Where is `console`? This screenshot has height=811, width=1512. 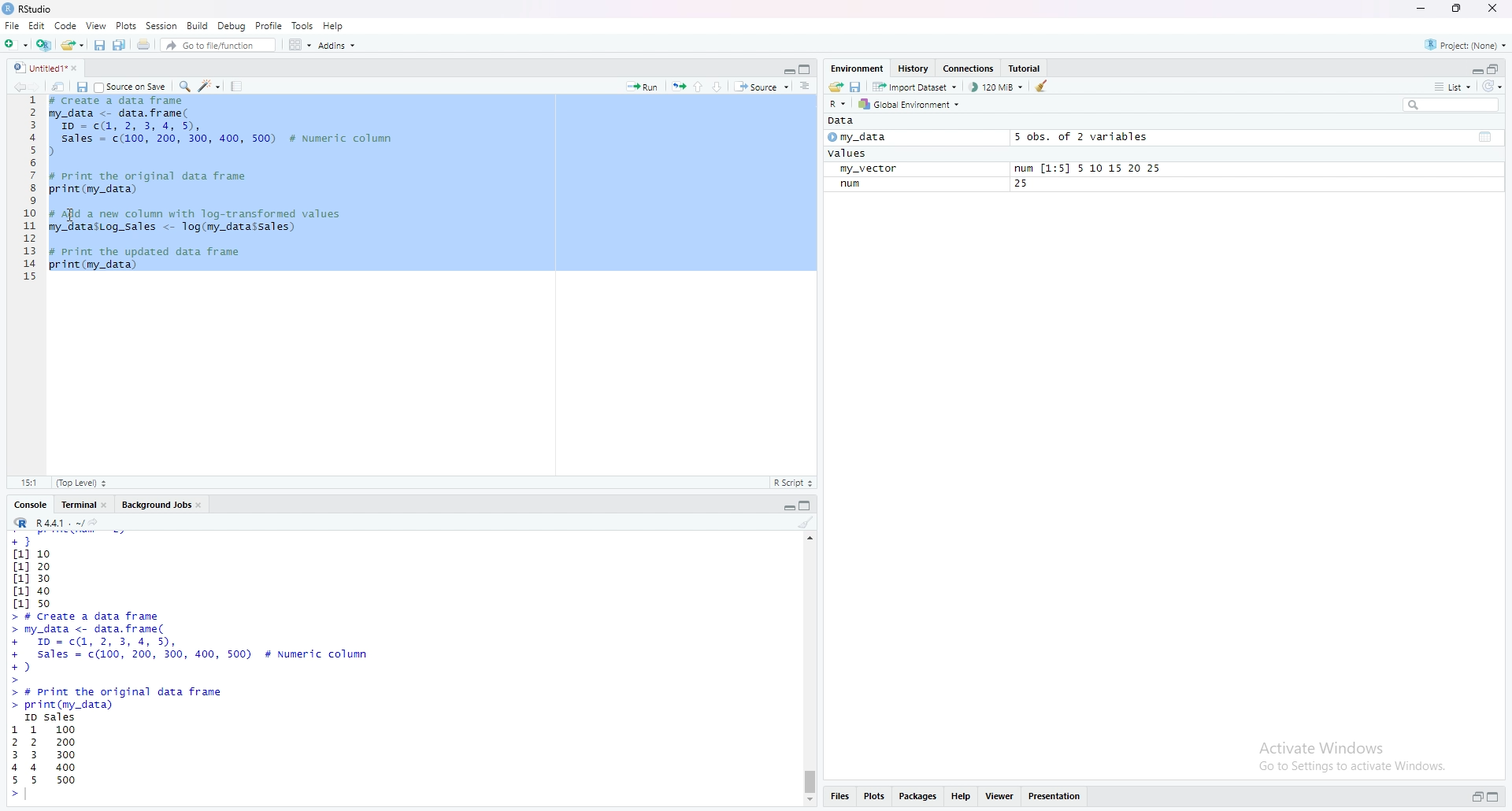
console is located at coordinates (27, 503).